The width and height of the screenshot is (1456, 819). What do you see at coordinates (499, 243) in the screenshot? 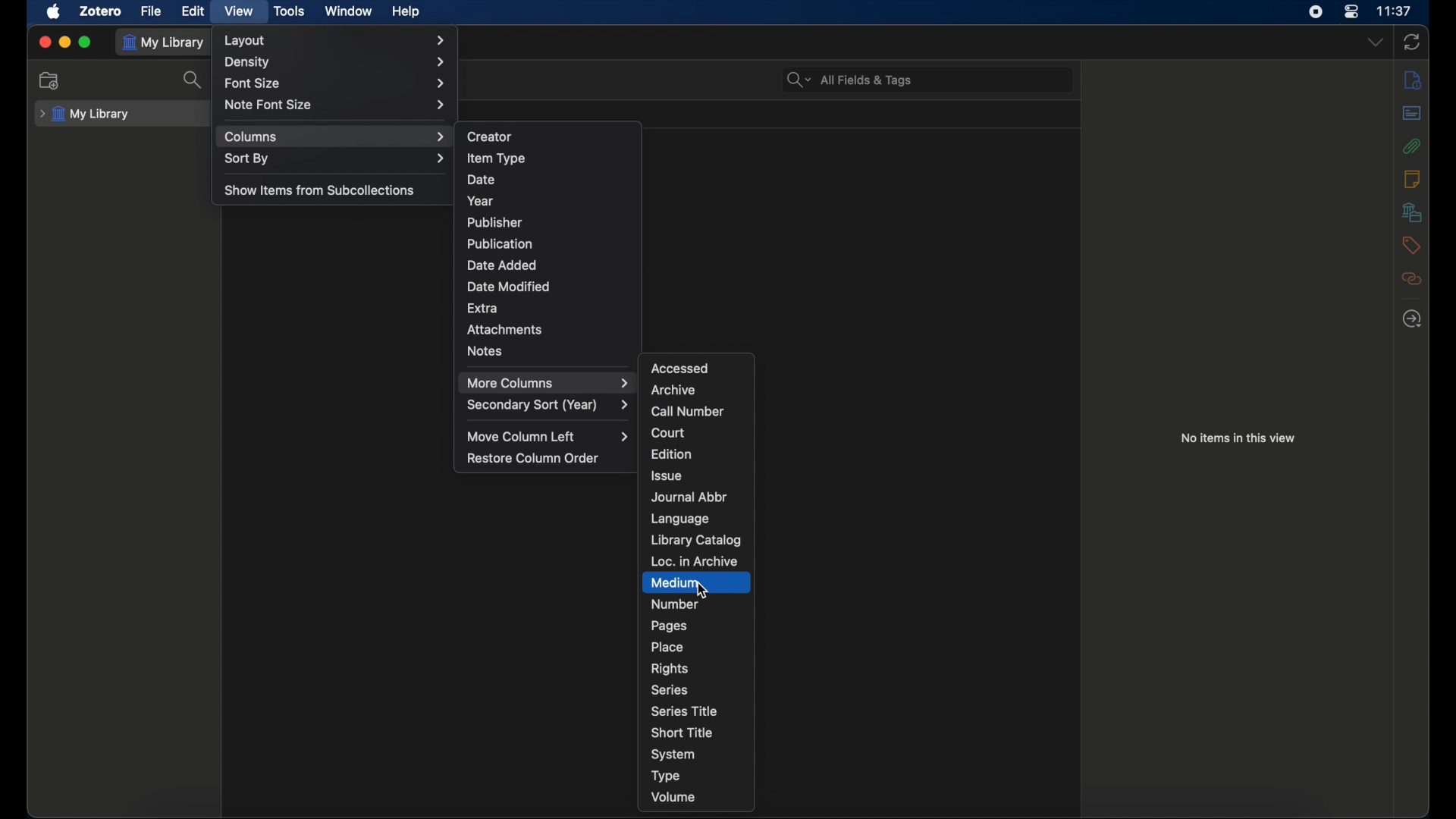
I see `publication` at bounding box center [499, 243].